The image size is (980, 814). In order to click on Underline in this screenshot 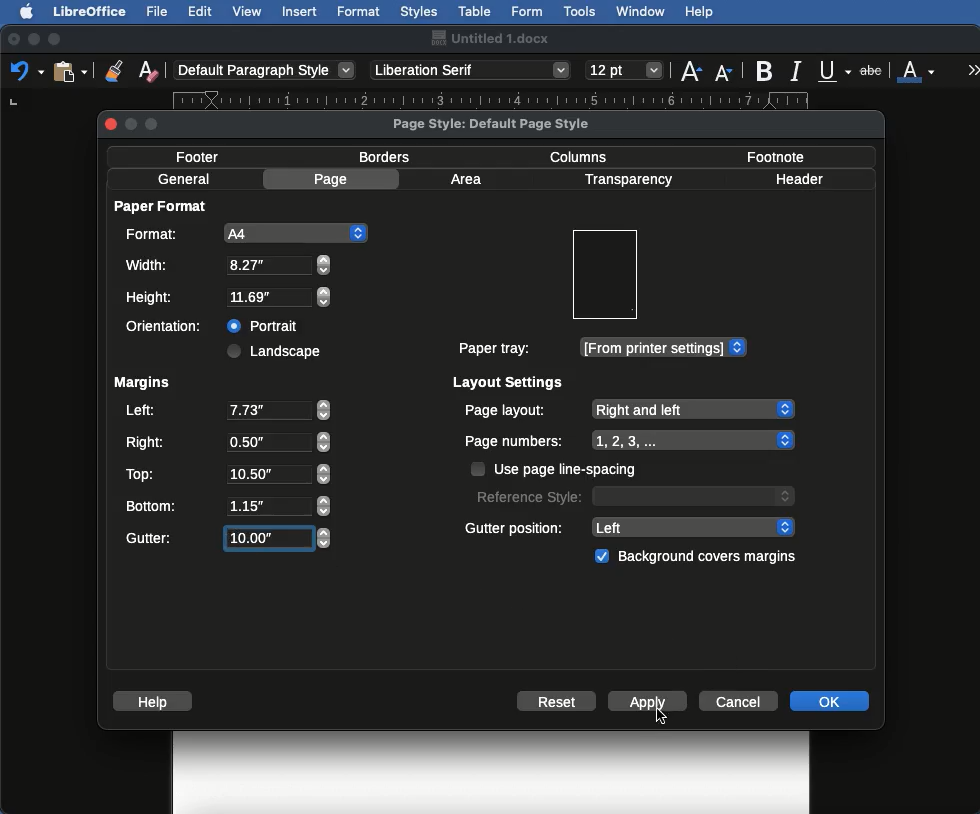, I will do `click(836, 72)`.